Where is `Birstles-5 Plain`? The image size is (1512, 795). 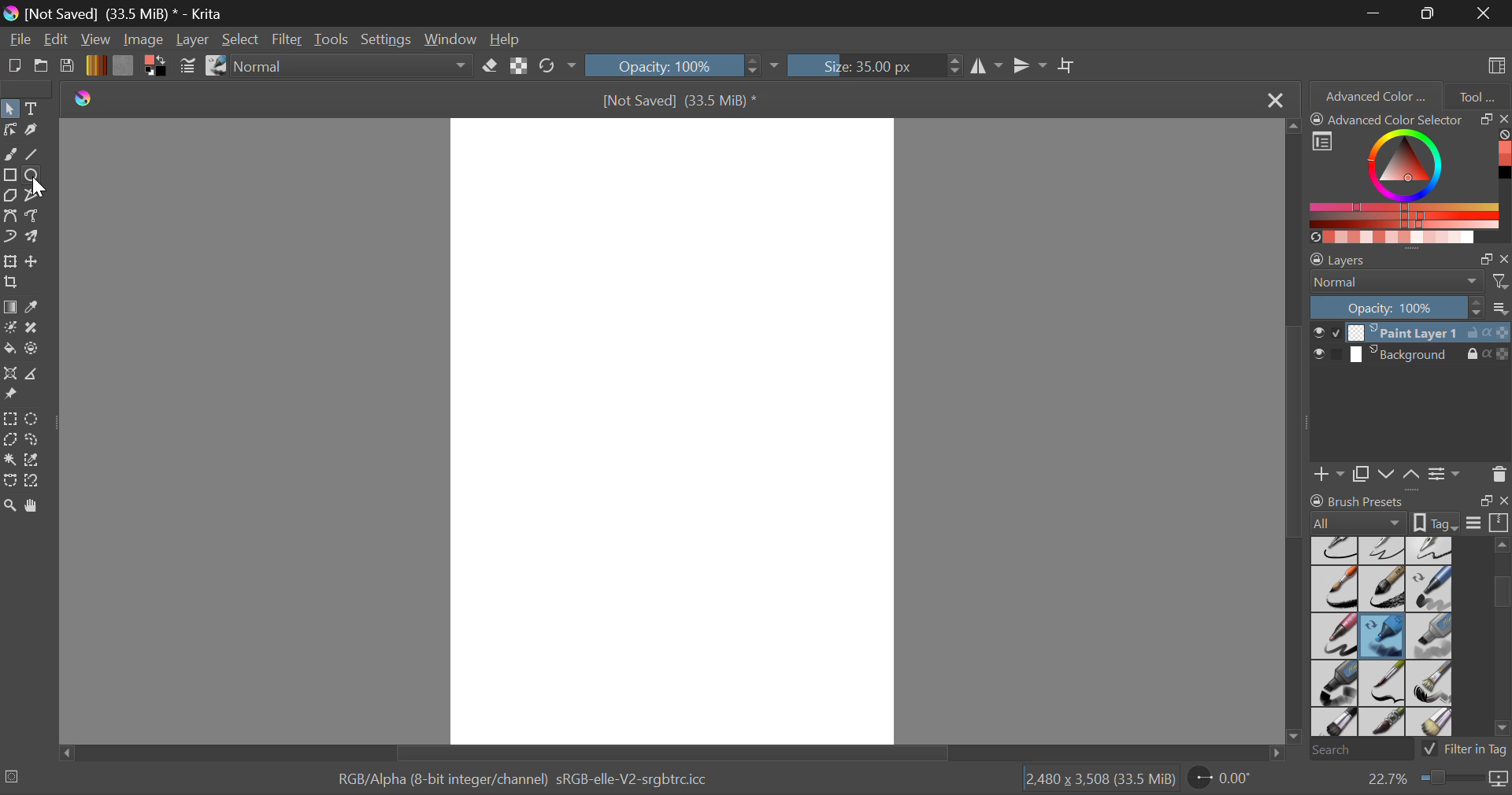
Birstles-5 Plain is located at coordinates (1433, 723).